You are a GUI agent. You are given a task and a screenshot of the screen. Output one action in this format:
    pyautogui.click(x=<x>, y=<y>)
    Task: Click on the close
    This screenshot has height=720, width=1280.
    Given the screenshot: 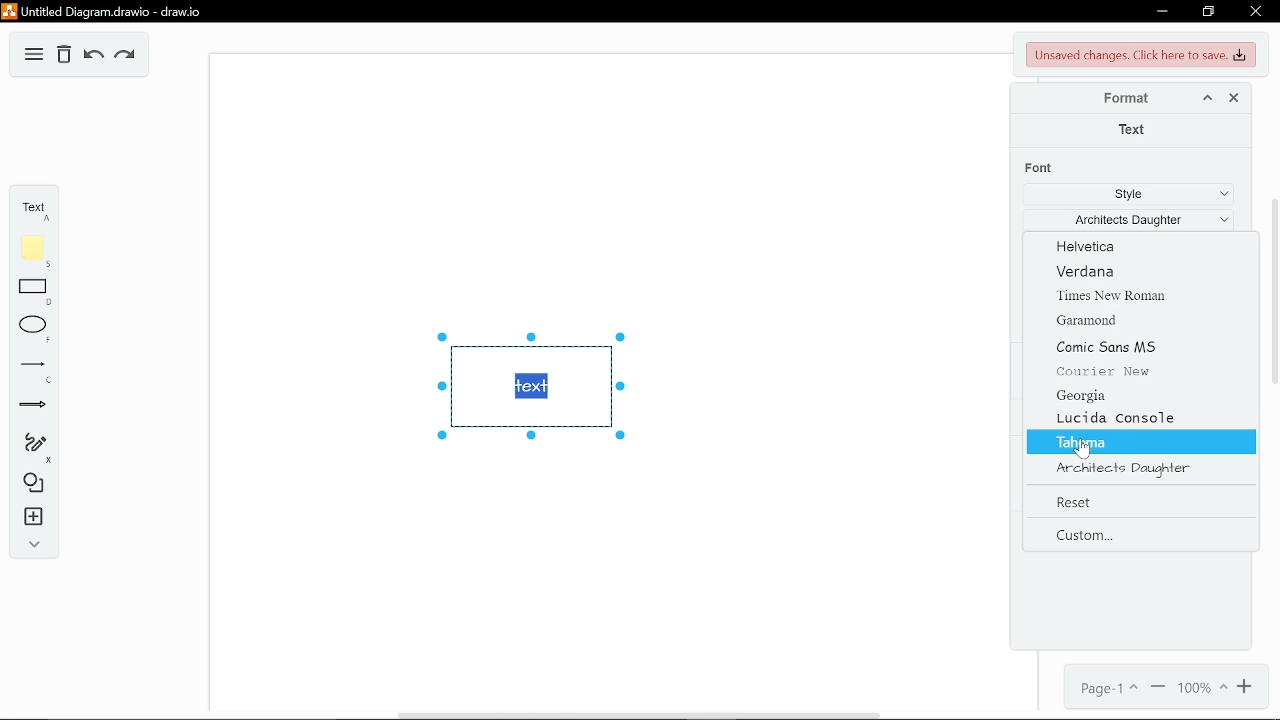 What is the action you would take?
    pyautogui.click(x=1230, y=98)
    